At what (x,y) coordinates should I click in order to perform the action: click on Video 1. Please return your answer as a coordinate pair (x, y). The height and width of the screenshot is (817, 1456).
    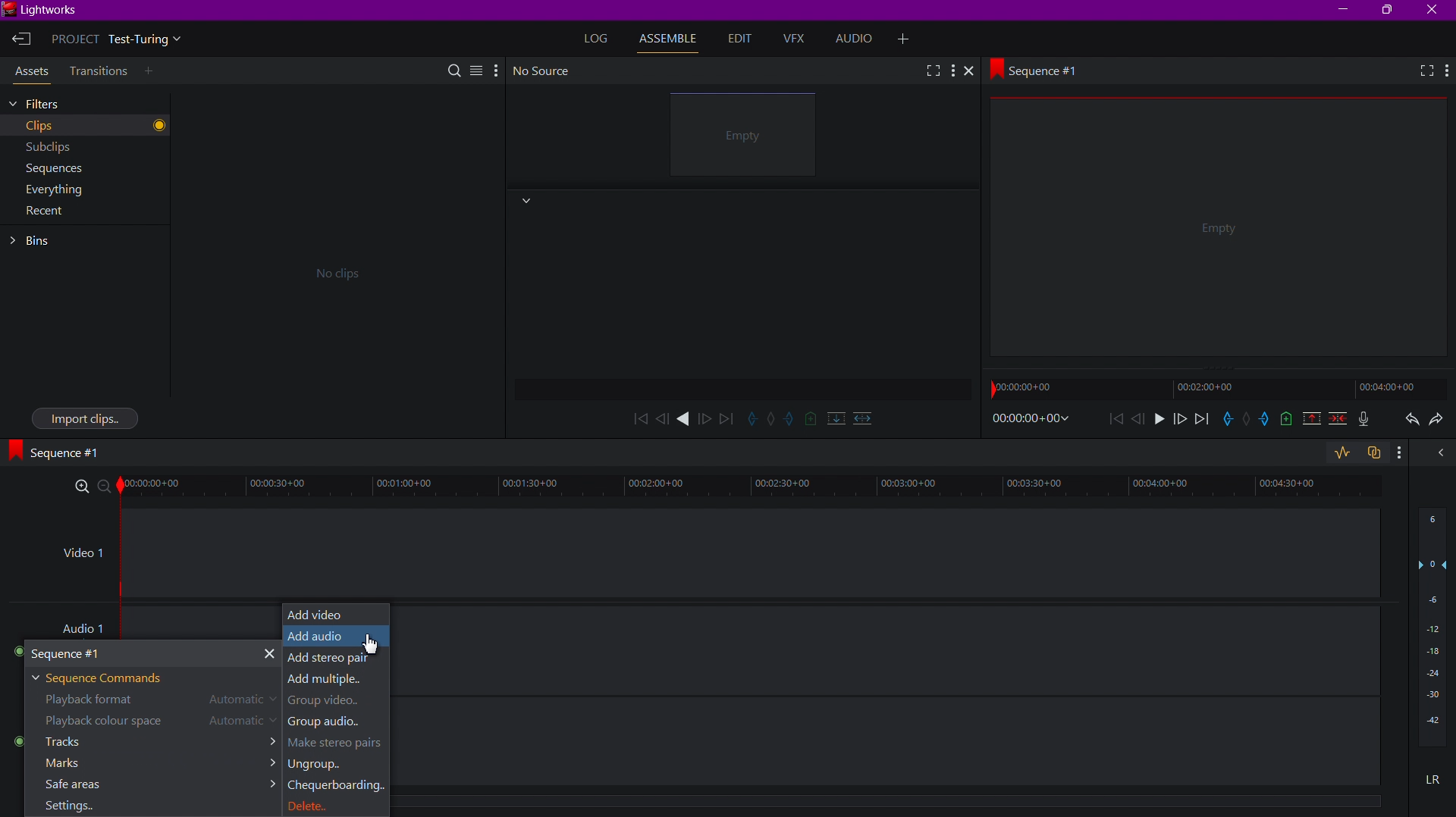
    Looking at the image, I should click on (80, 557).